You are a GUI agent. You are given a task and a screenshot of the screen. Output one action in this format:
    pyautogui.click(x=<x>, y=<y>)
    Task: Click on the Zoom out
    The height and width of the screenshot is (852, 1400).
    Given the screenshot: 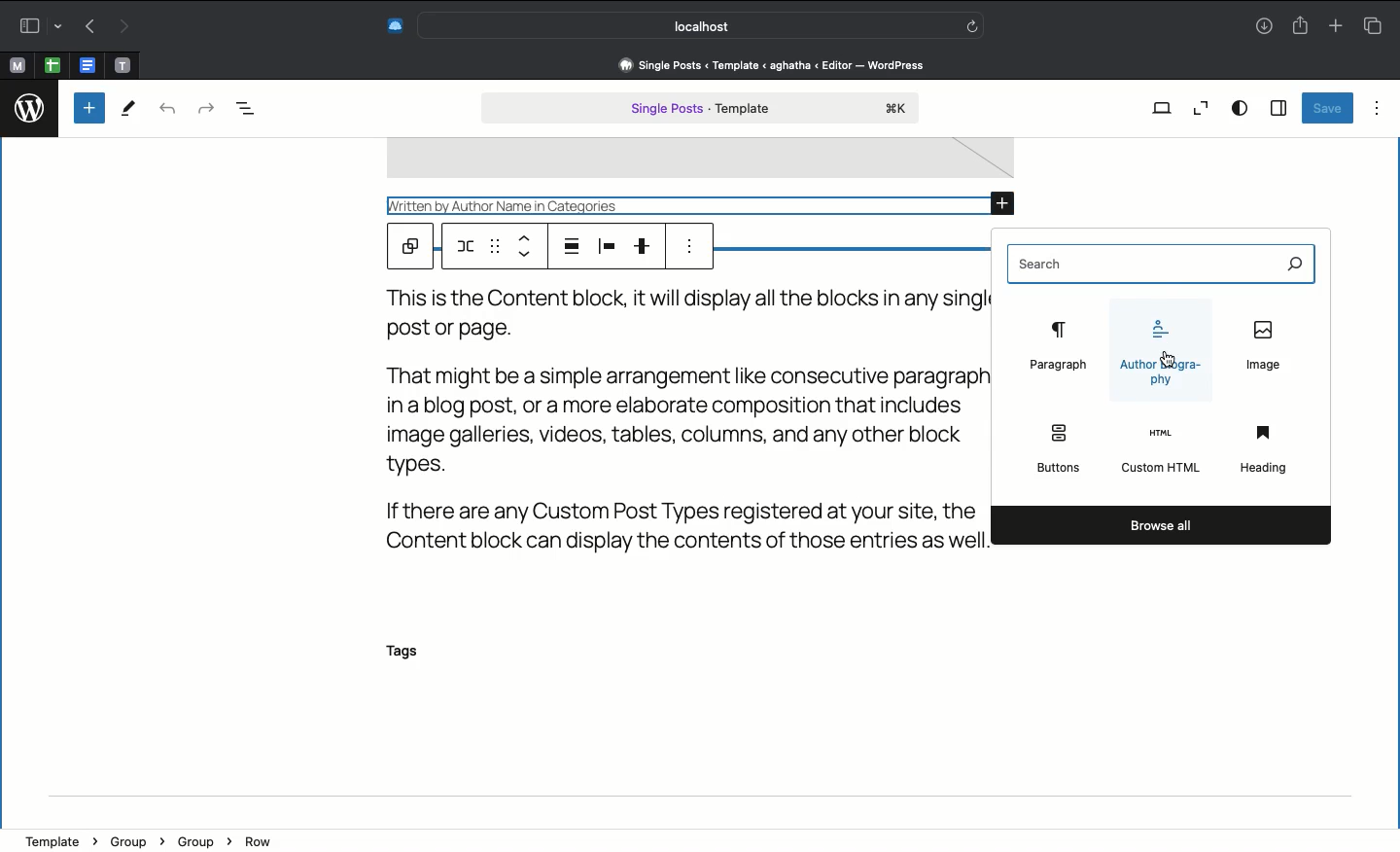 What is the action you would take?
    pyautogui.click(x=1201, y=108)
    